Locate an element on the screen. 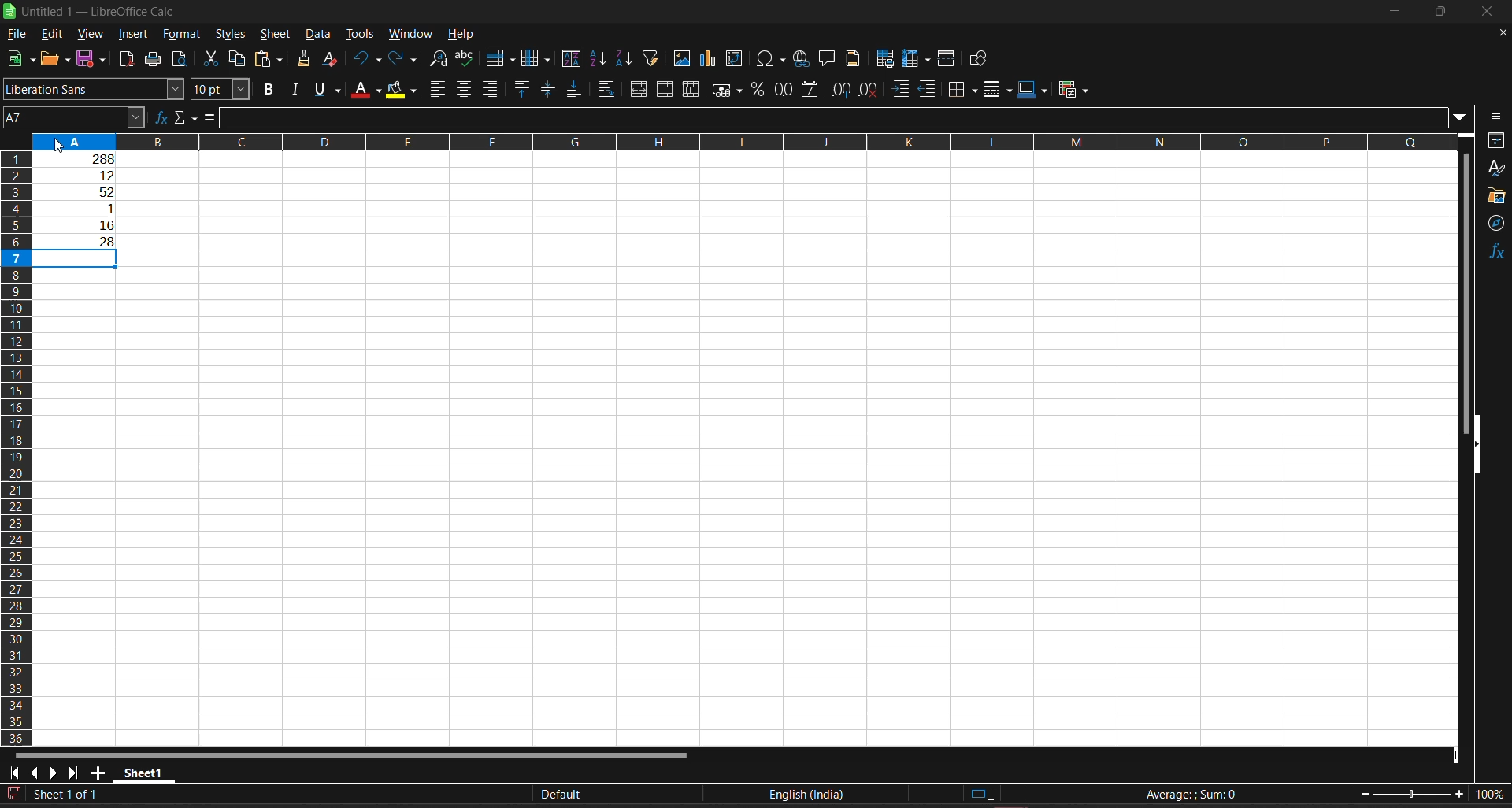  save is located at coordinates (90, 60).